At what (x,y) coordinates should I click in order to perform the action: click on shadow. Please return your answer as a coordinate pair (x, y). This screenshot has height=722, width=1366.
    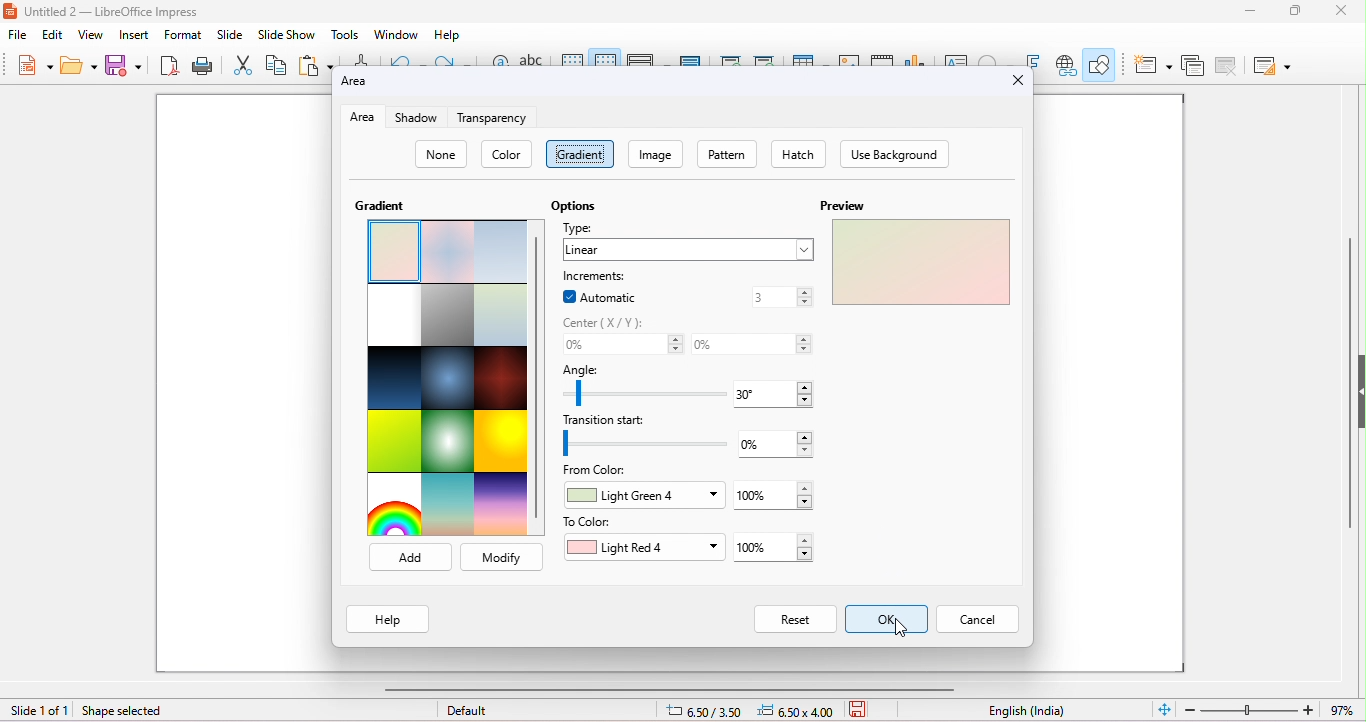
    Looking at the image, I should click on (420, 118).